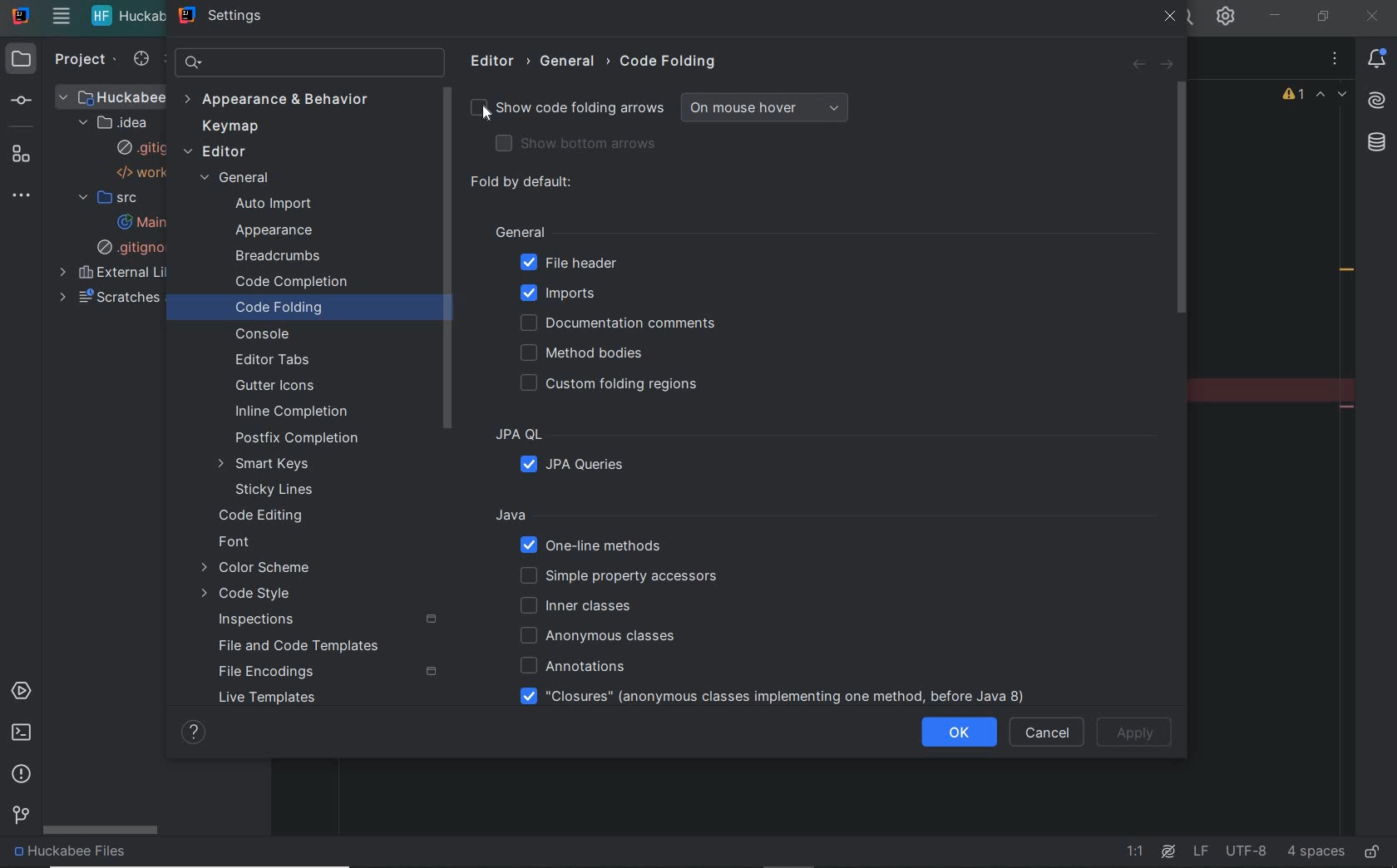 The height and width of the screenshot is (868, 1397). Describe the element at coordinates (1334, 96) in the screenshot. I see `previous and next warnings` at that location.